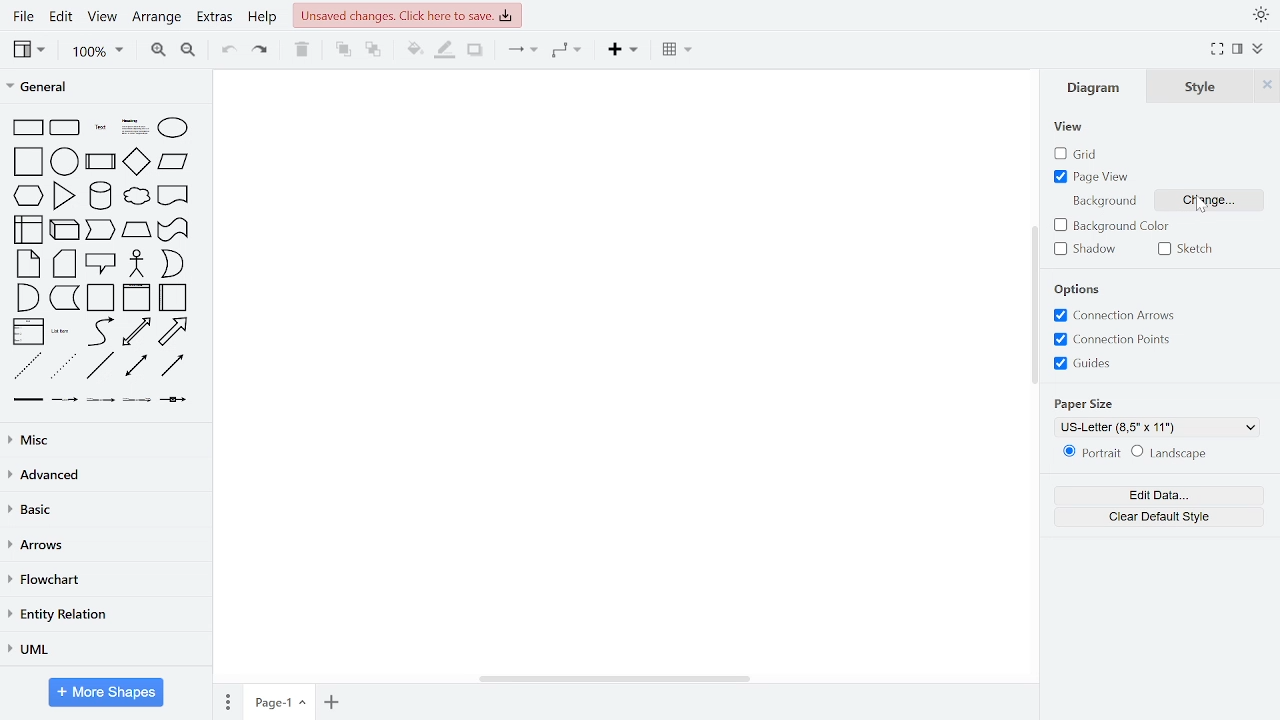  What do you see at coordinates (616, 678) in the screenshot?
I see `horizontal scrollbar` at bounding box center [616, 678].